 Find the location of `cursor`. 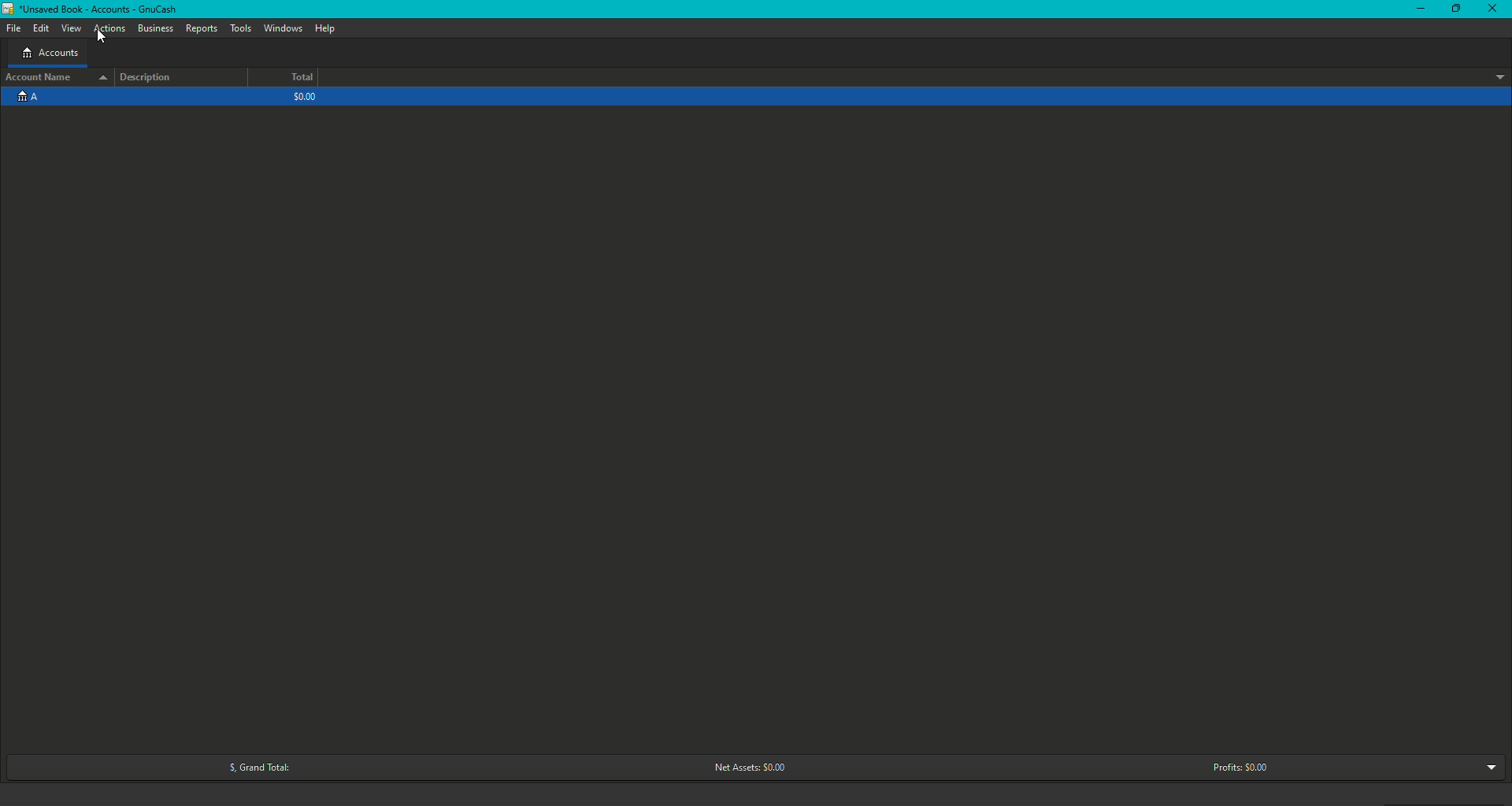

cursor is located at coordinates (109, 39).